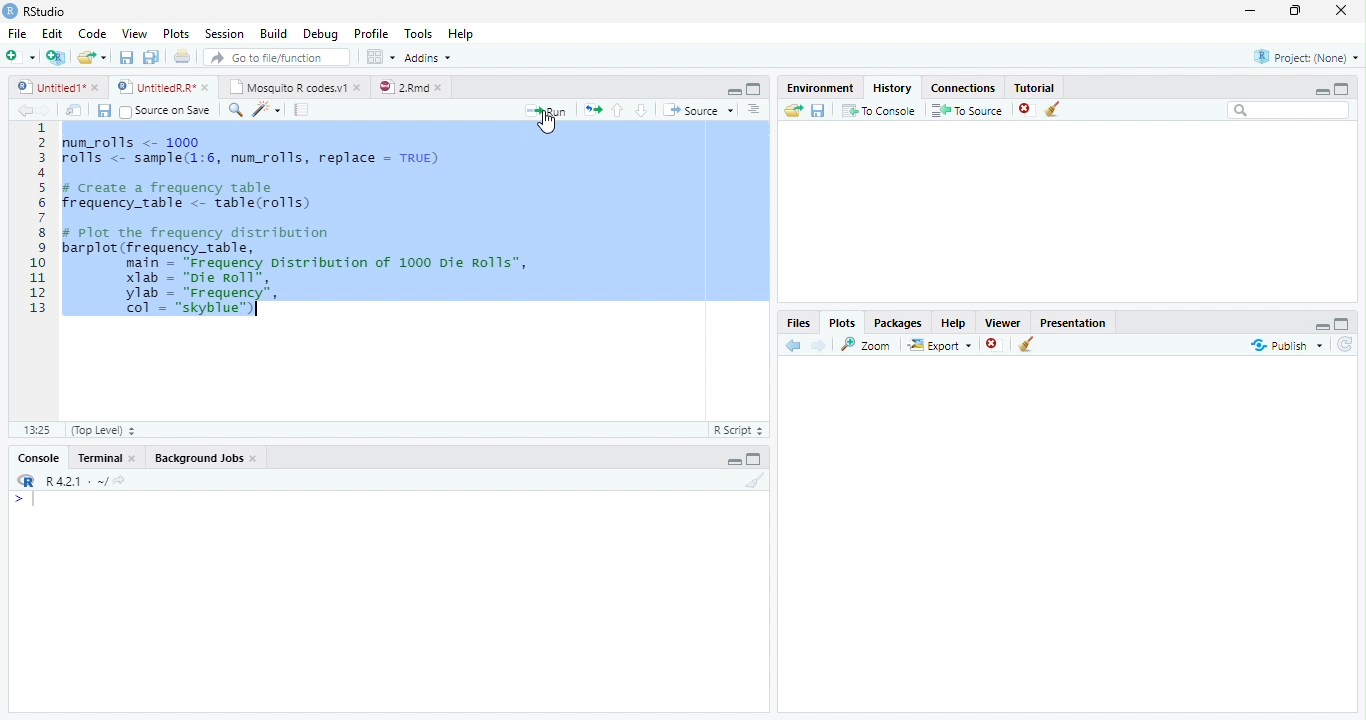 The image size is (1366, 720). I want to click on Open an existing file, so click(92, 57).